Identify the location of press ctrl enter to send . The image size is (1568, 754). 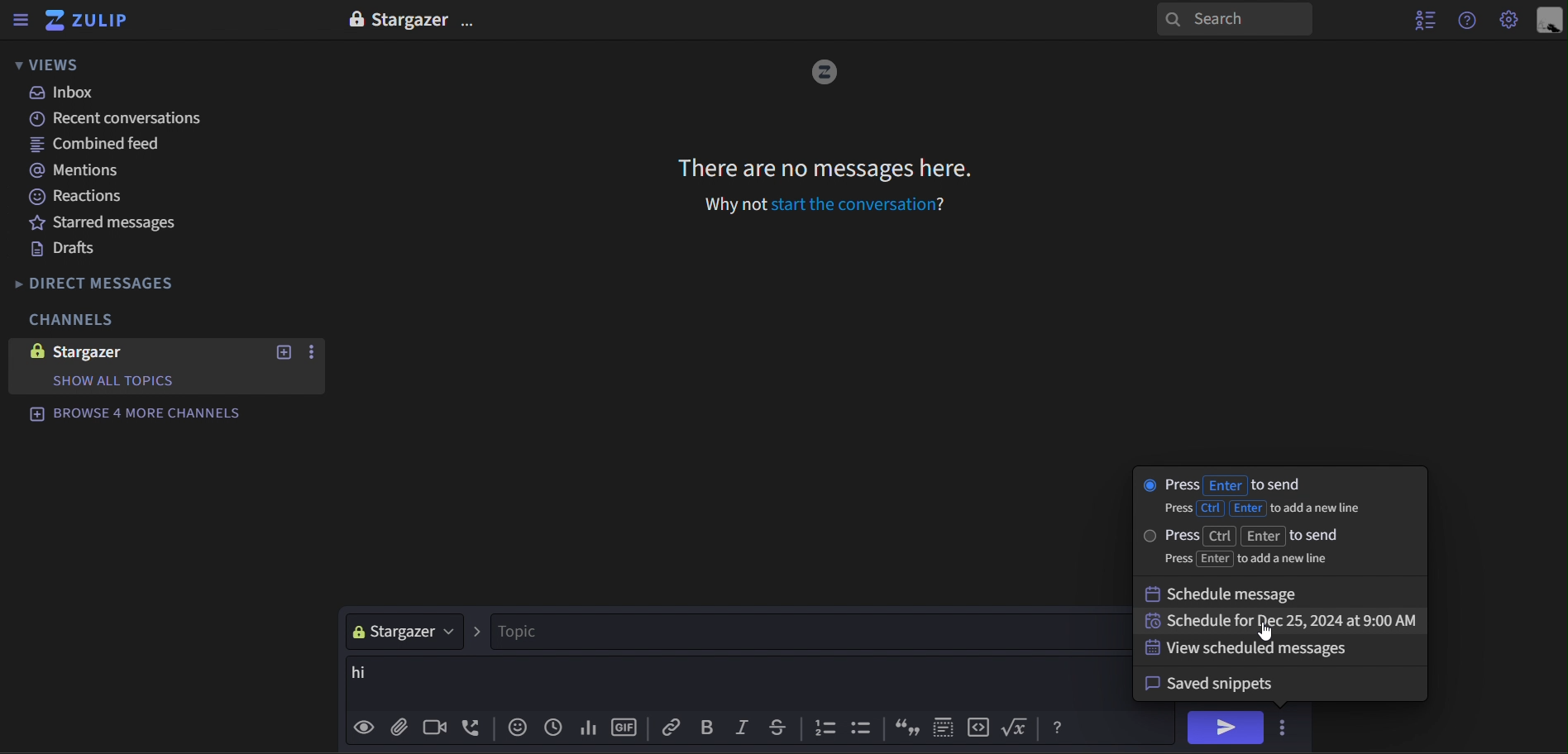
(1283, 534).